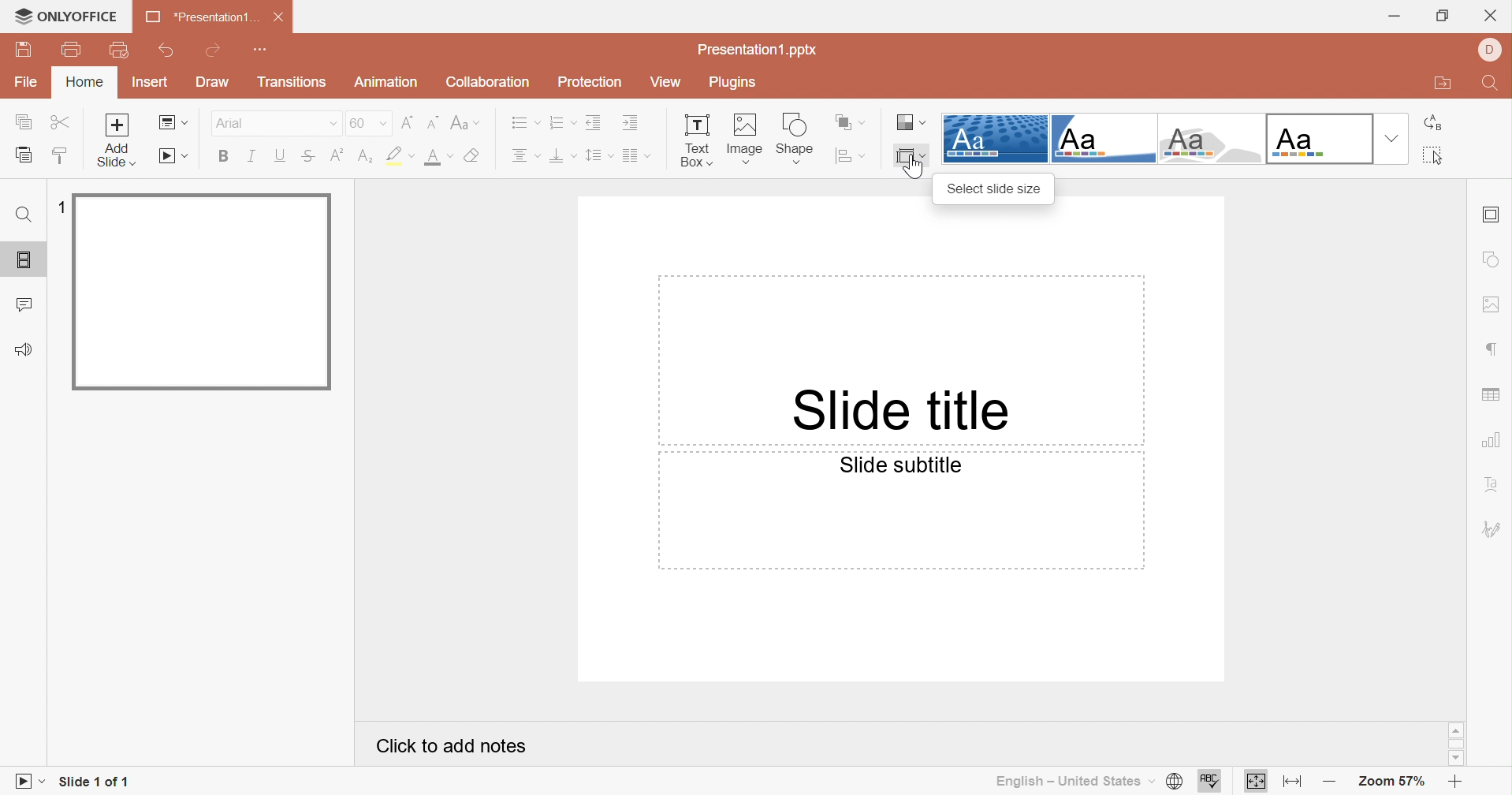  I want to click on Paste, so click(27, 157).